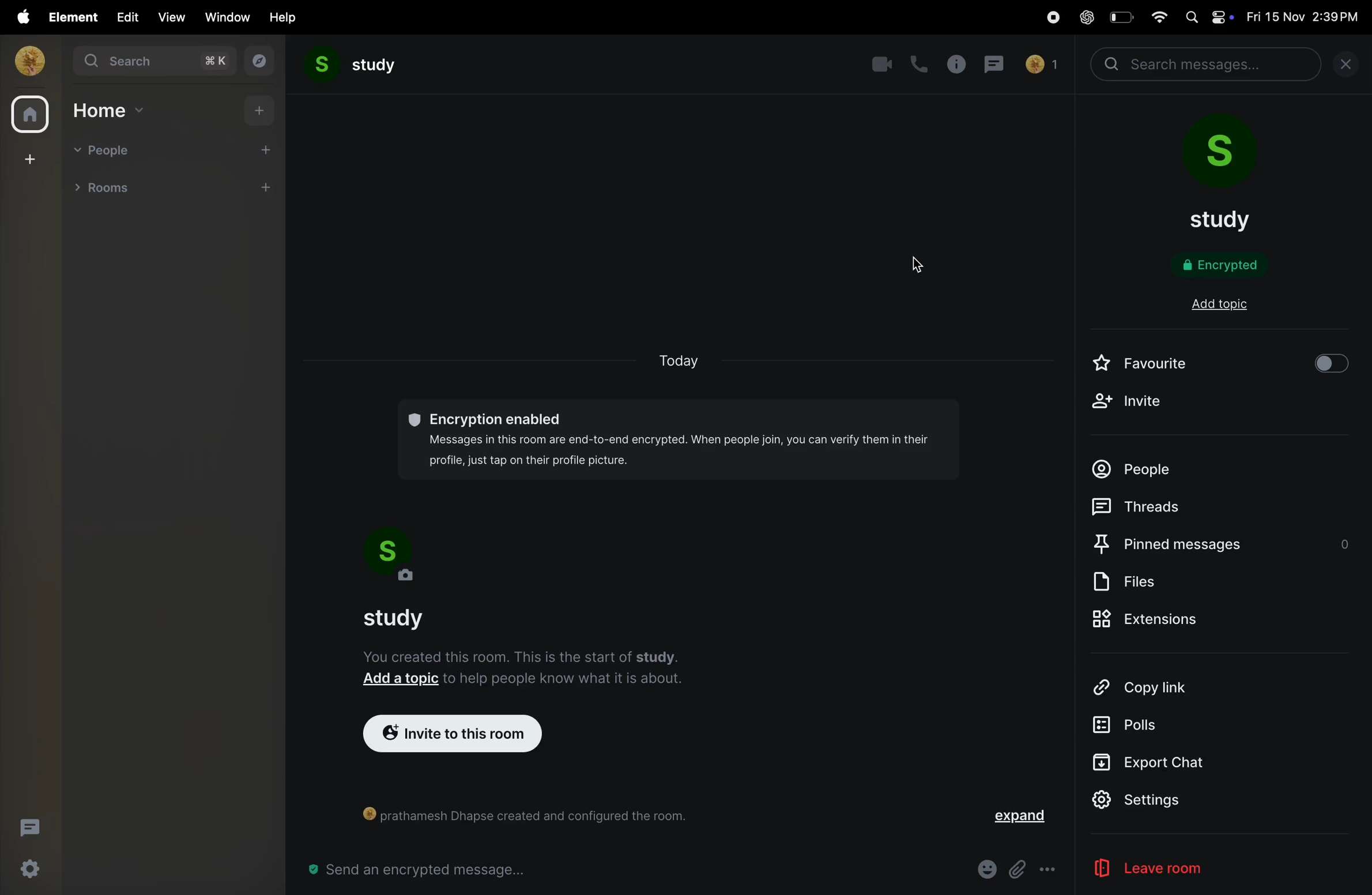 This screenshot has width=1372, height=895. Describe the element at coordinates (1229, 265) in the screenshot. I see `encryption status` at that location.